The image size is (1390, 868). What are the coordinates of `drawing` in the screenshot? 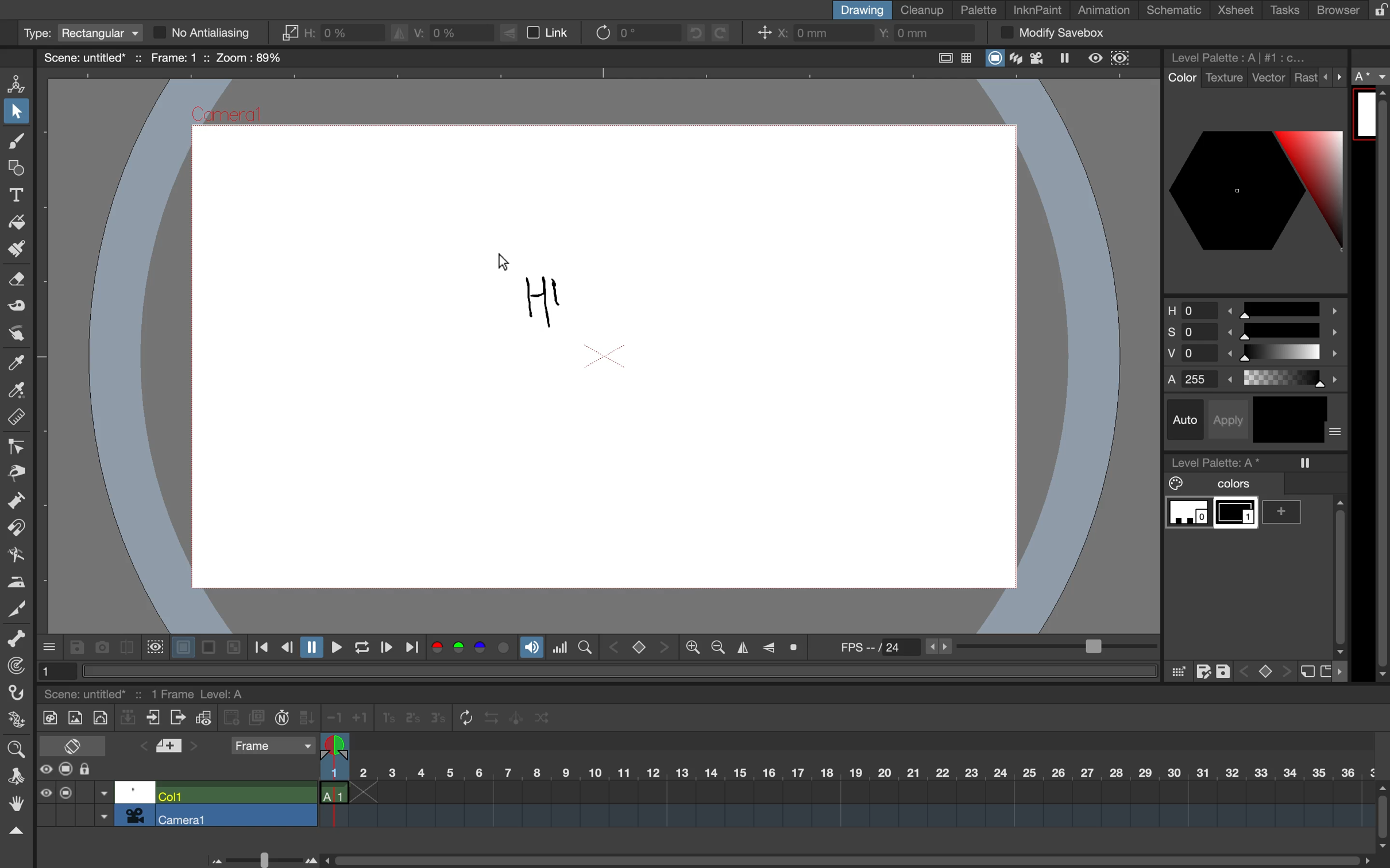 It's located at (860, 10).